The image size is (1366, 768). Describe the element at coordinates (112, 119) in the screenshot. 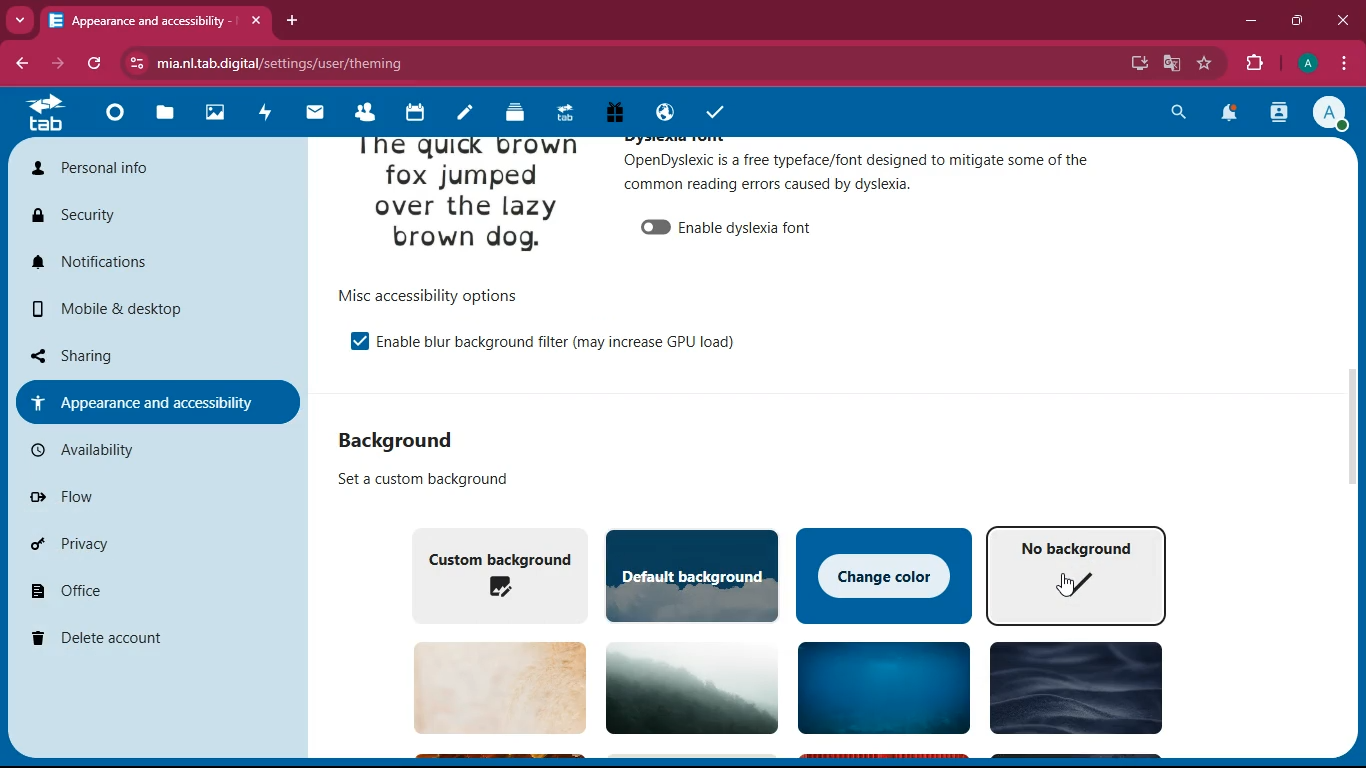

I see `home` at that location.